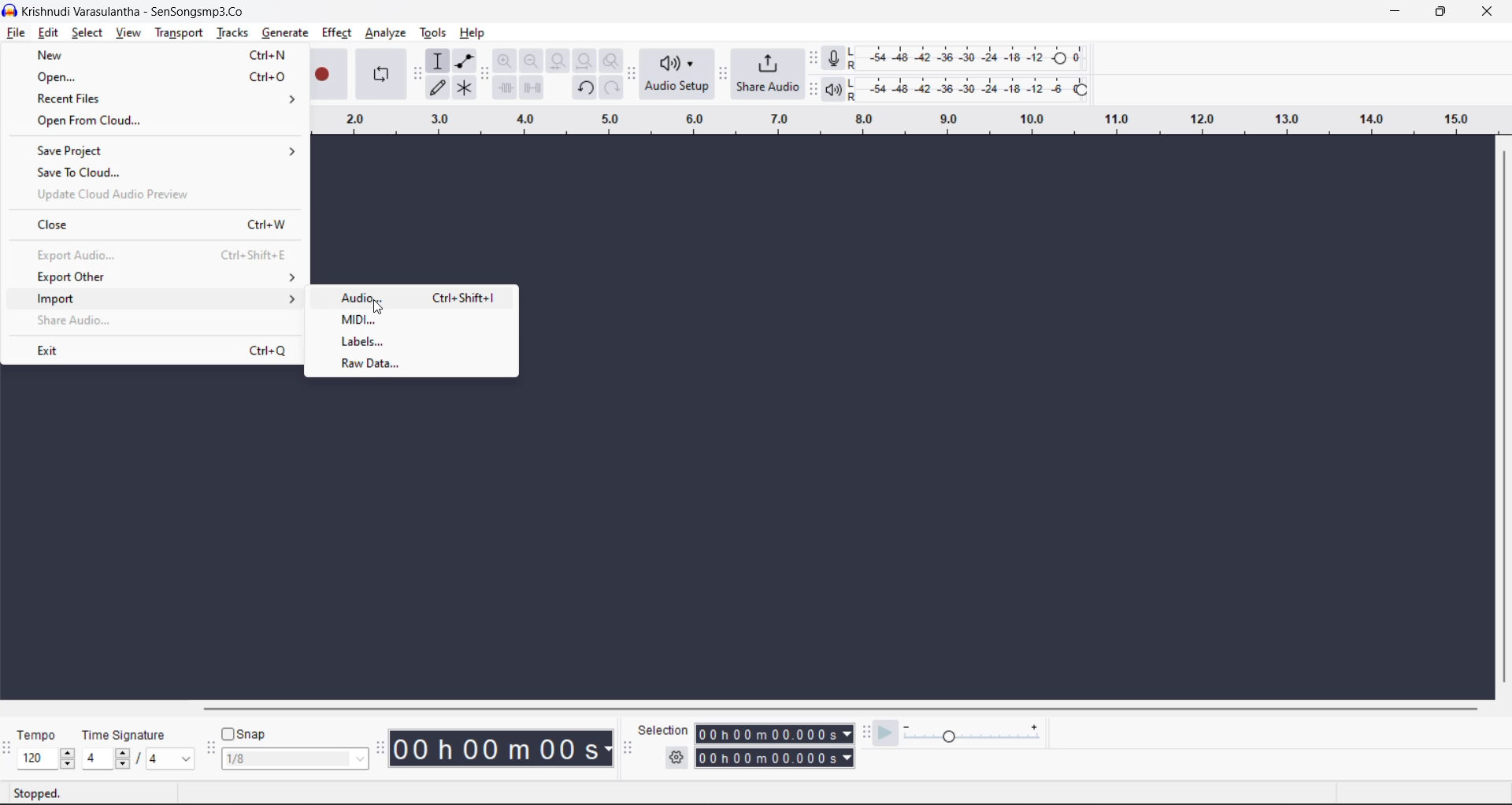  Describe the element at coordinates (383, 747) in the screenshot. I see `time tool bar` at that location.